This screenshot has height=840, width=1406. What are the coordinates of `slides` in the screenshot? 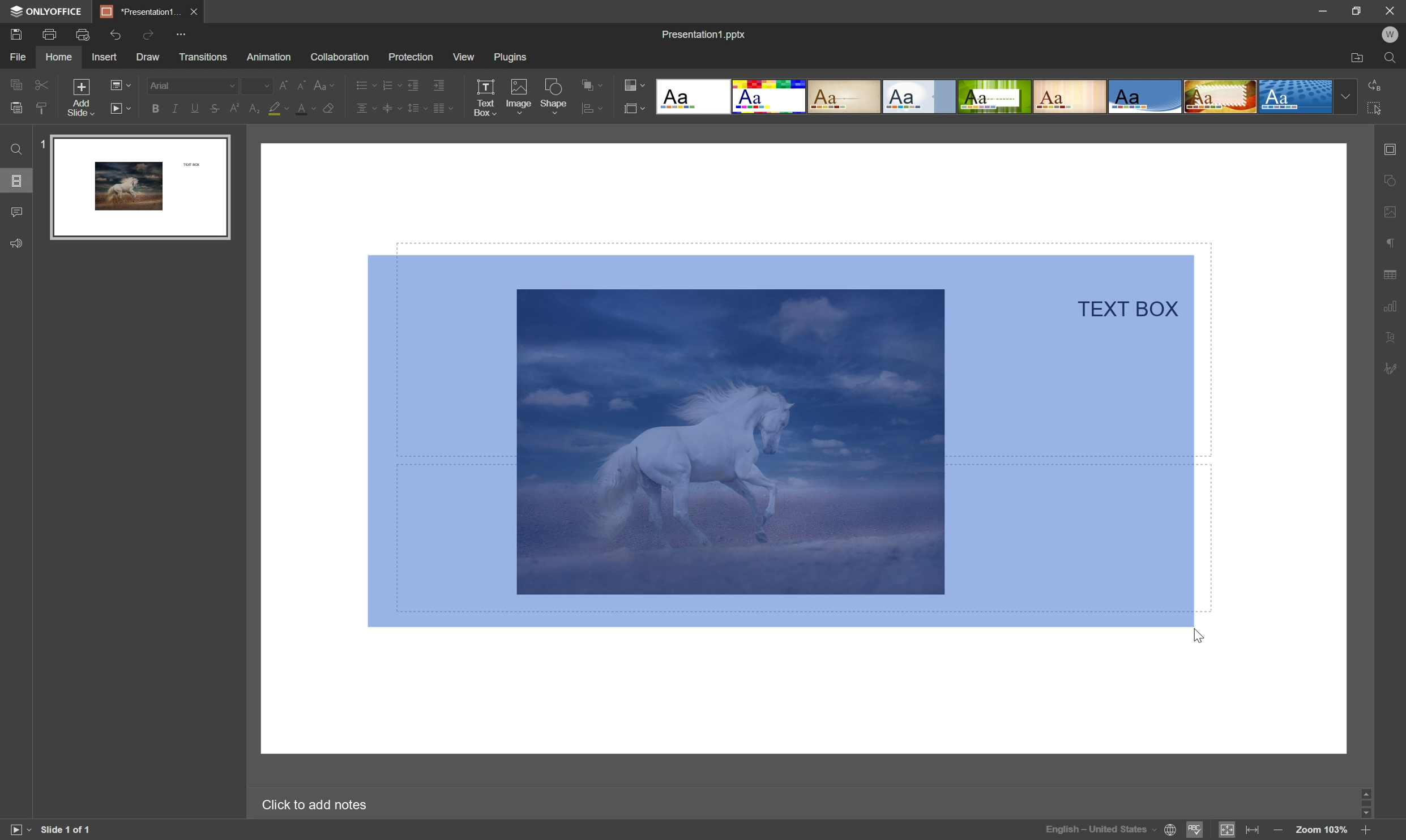 It's located at (18, 182).